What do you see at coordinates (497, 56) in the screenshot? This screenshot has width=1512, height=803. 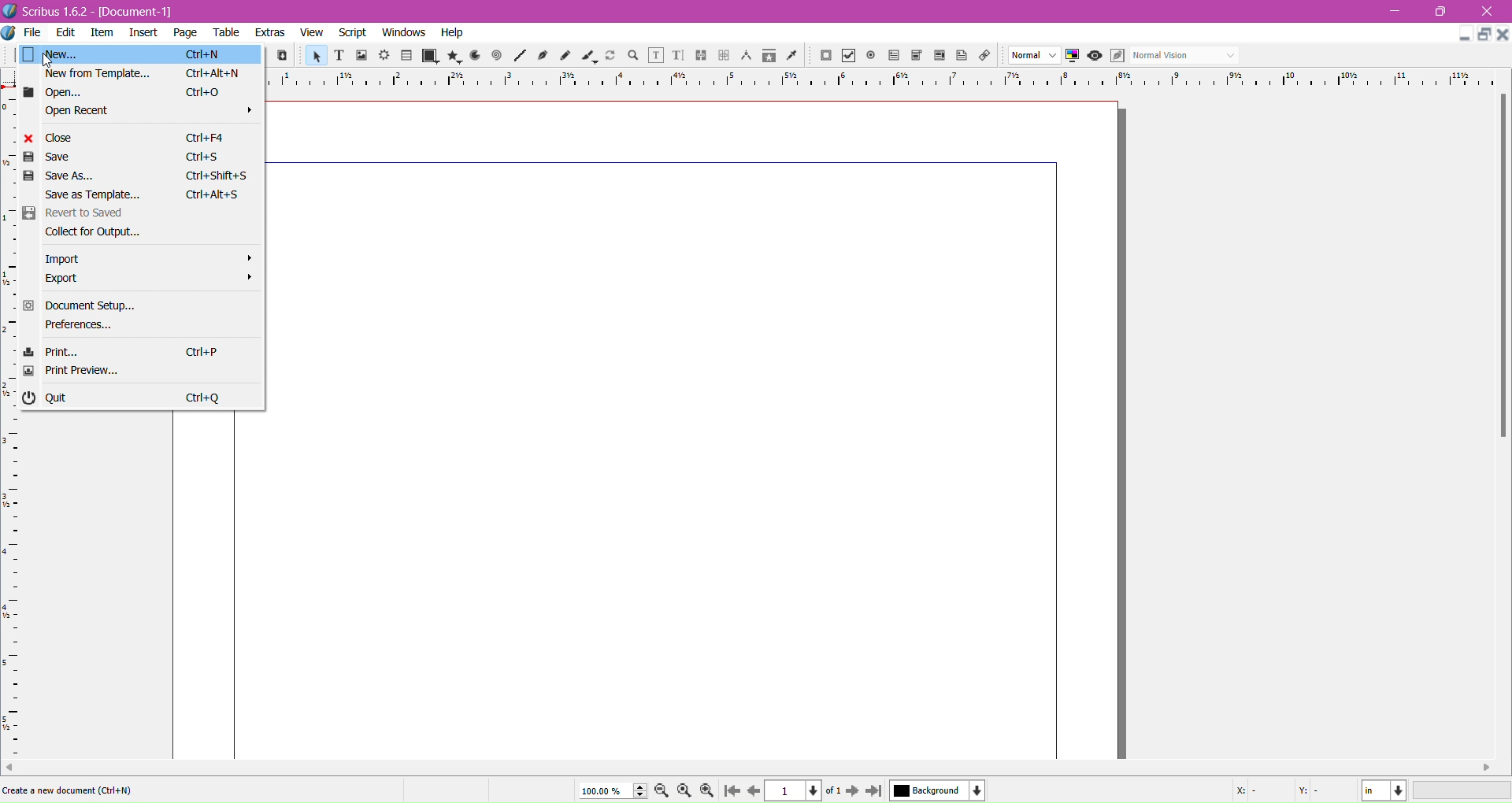 I see `icon` at bounding box center [497, 56].